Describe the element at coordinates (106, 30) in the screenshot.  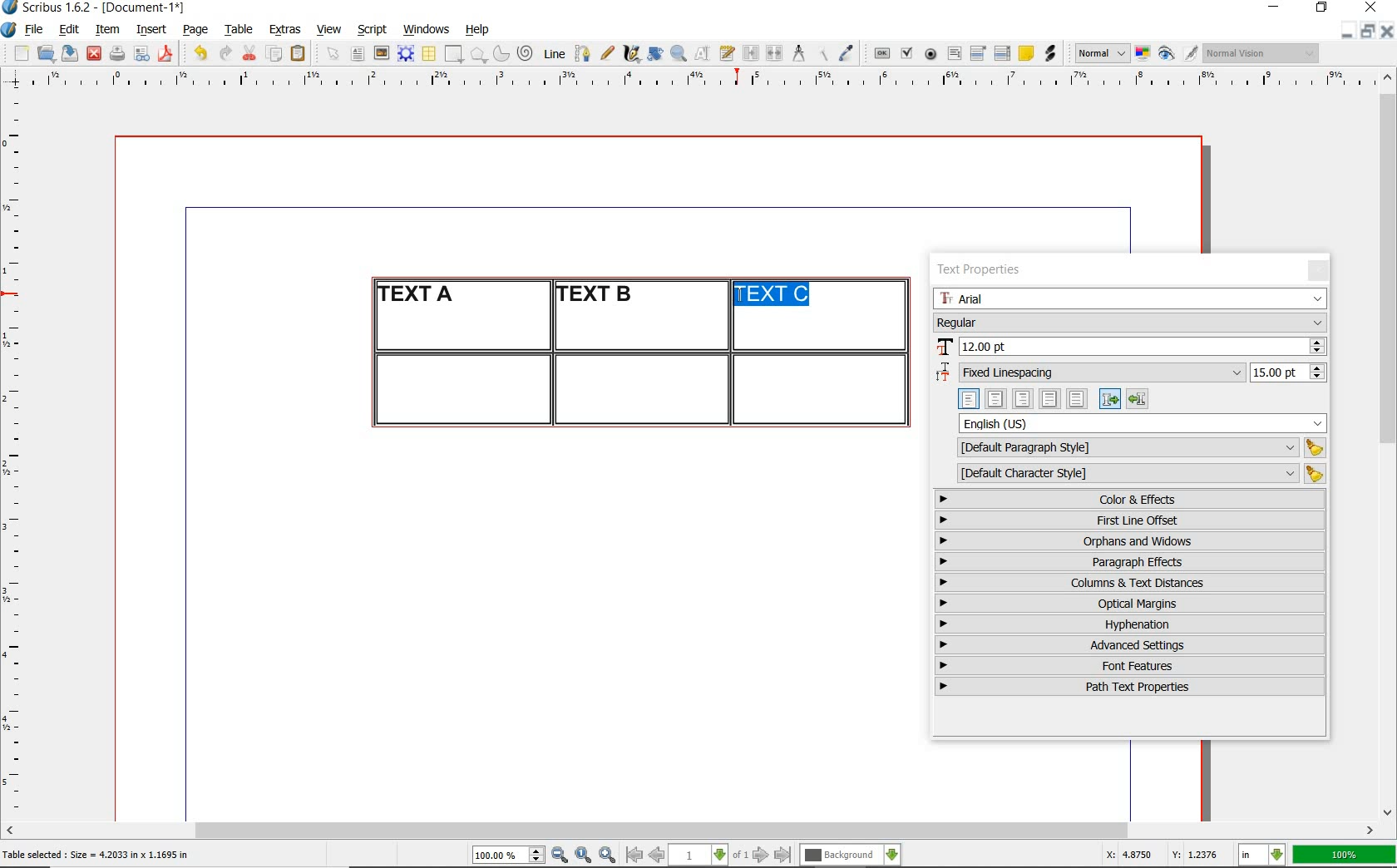
I see `item` at that location.